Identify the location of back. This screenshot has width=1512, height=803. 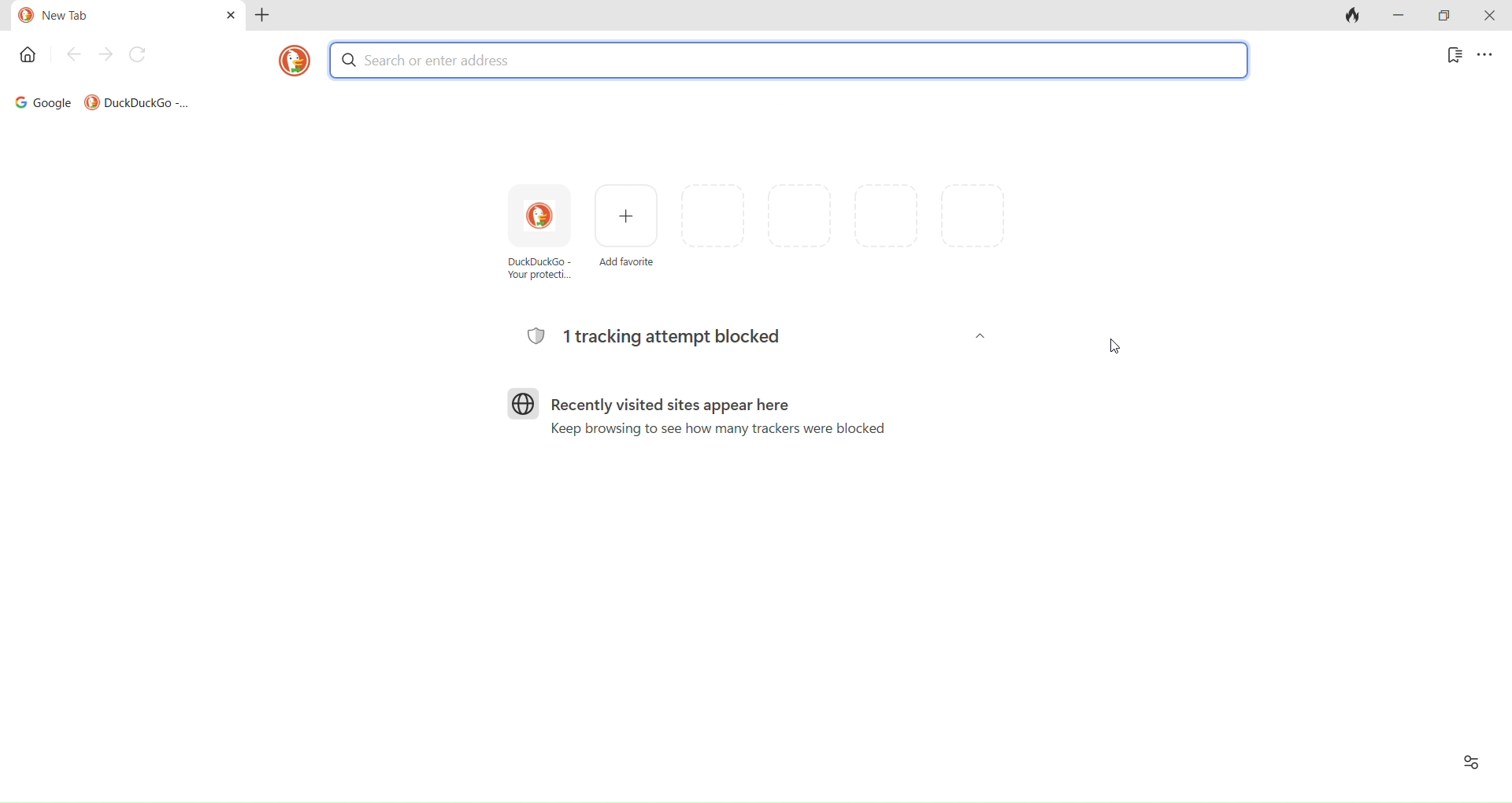
(75, 55).